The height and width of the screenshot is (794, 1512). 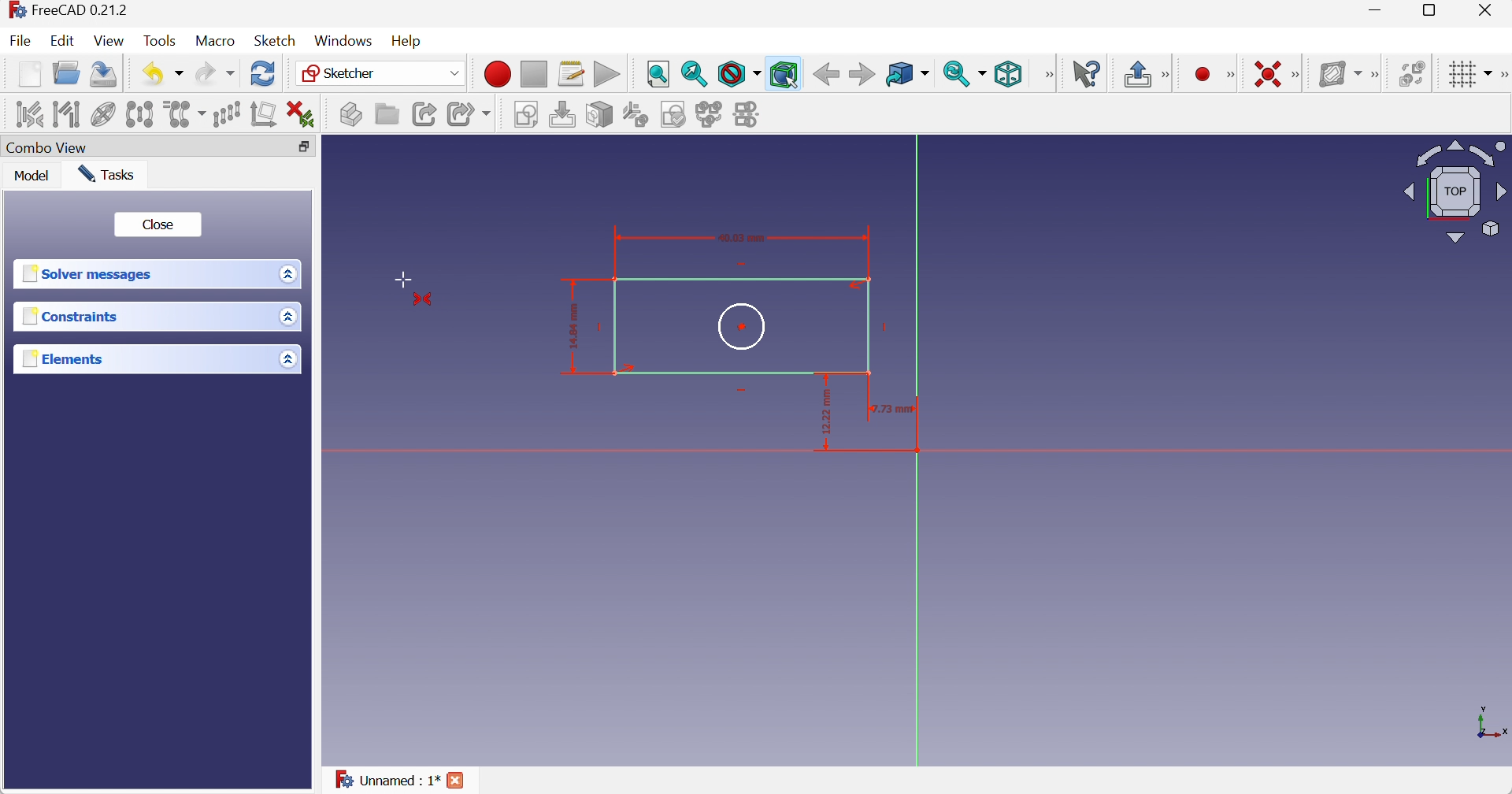 What do you see at coordinates (528, 116) in the screenshot?
I see `Create sketch` at bounding box center [528, 116].